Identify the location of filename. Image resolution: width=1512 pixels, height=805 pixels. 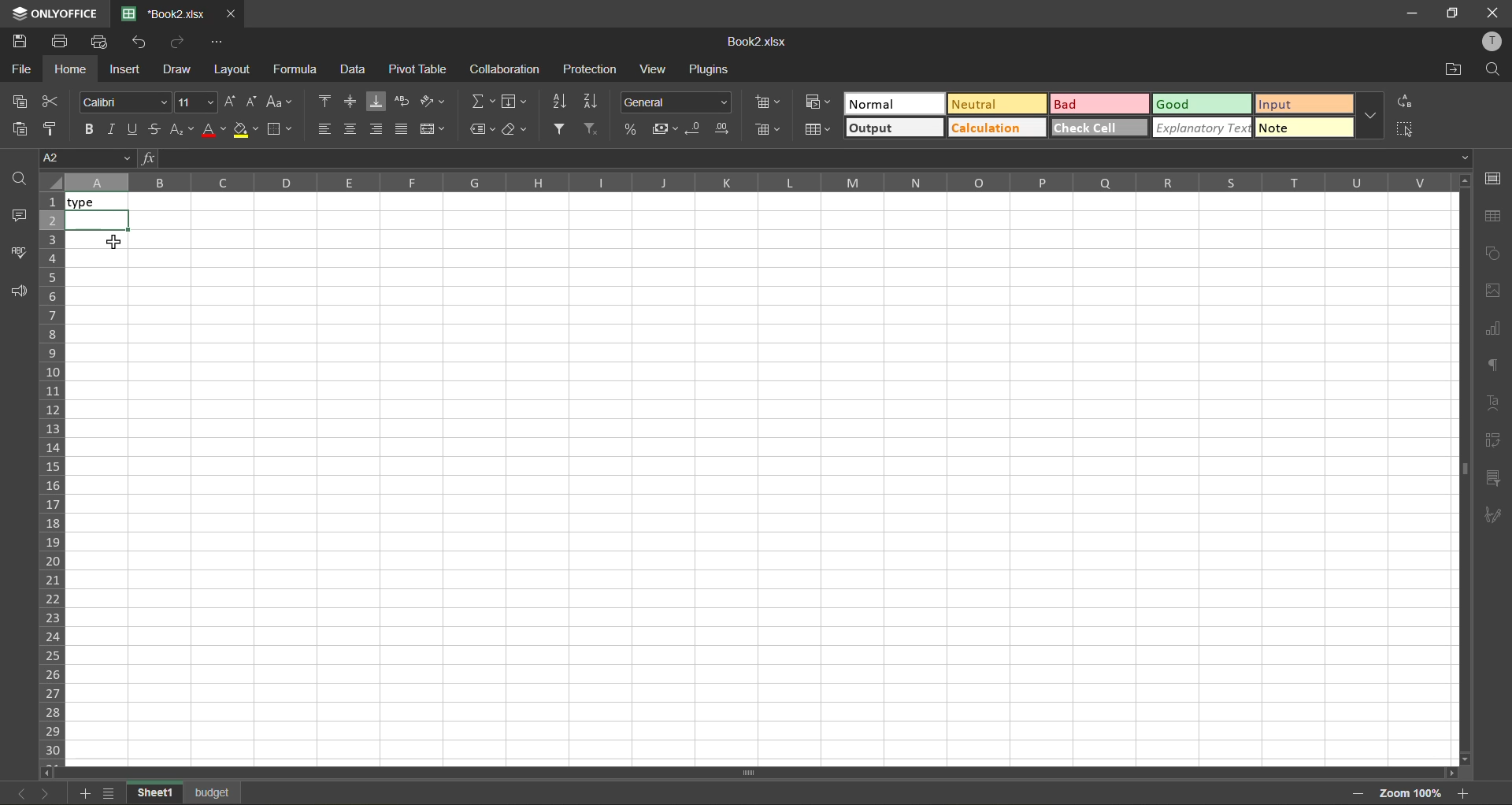
(760, 40).